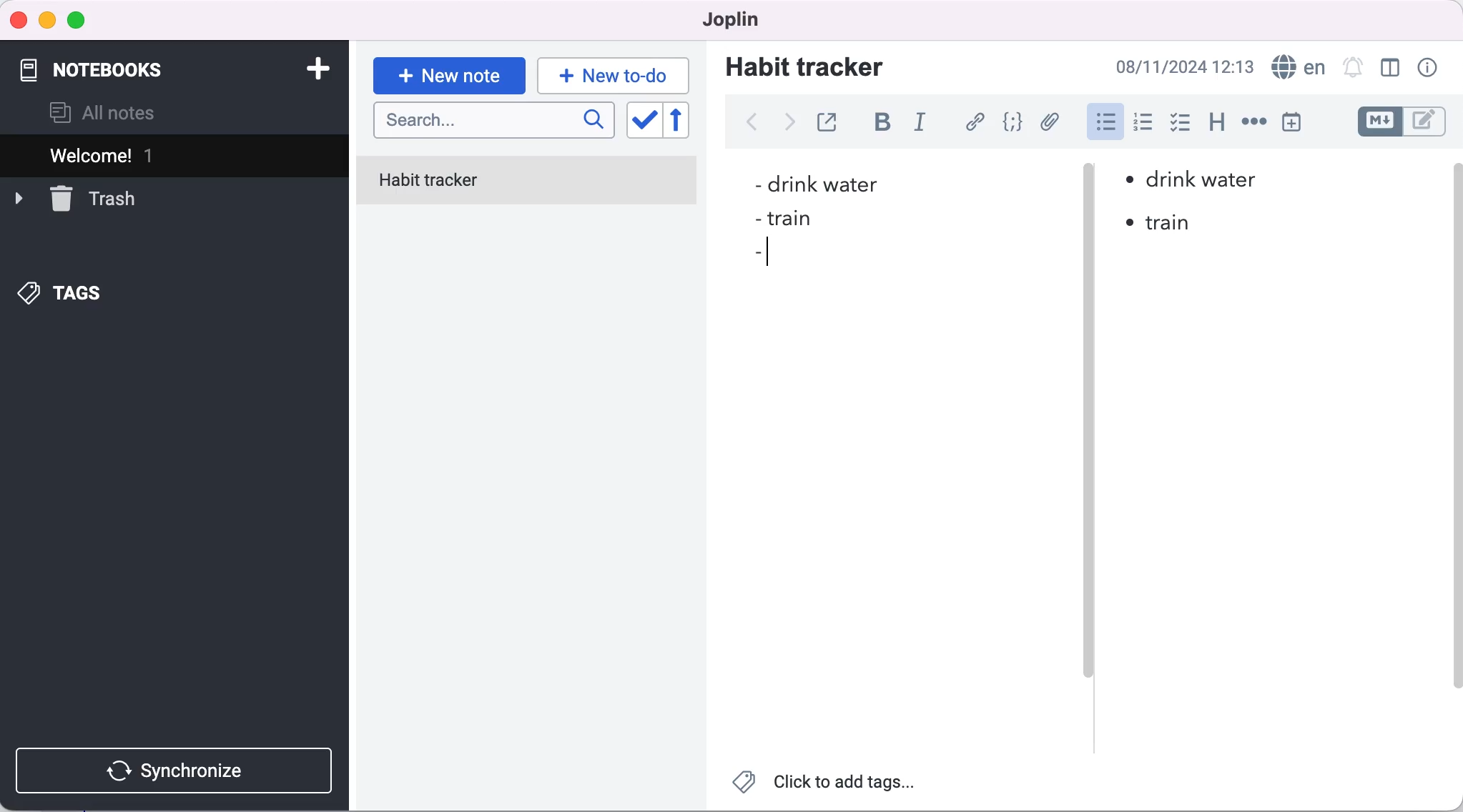  I want to click on horizontal rule, so click(1253, 123).